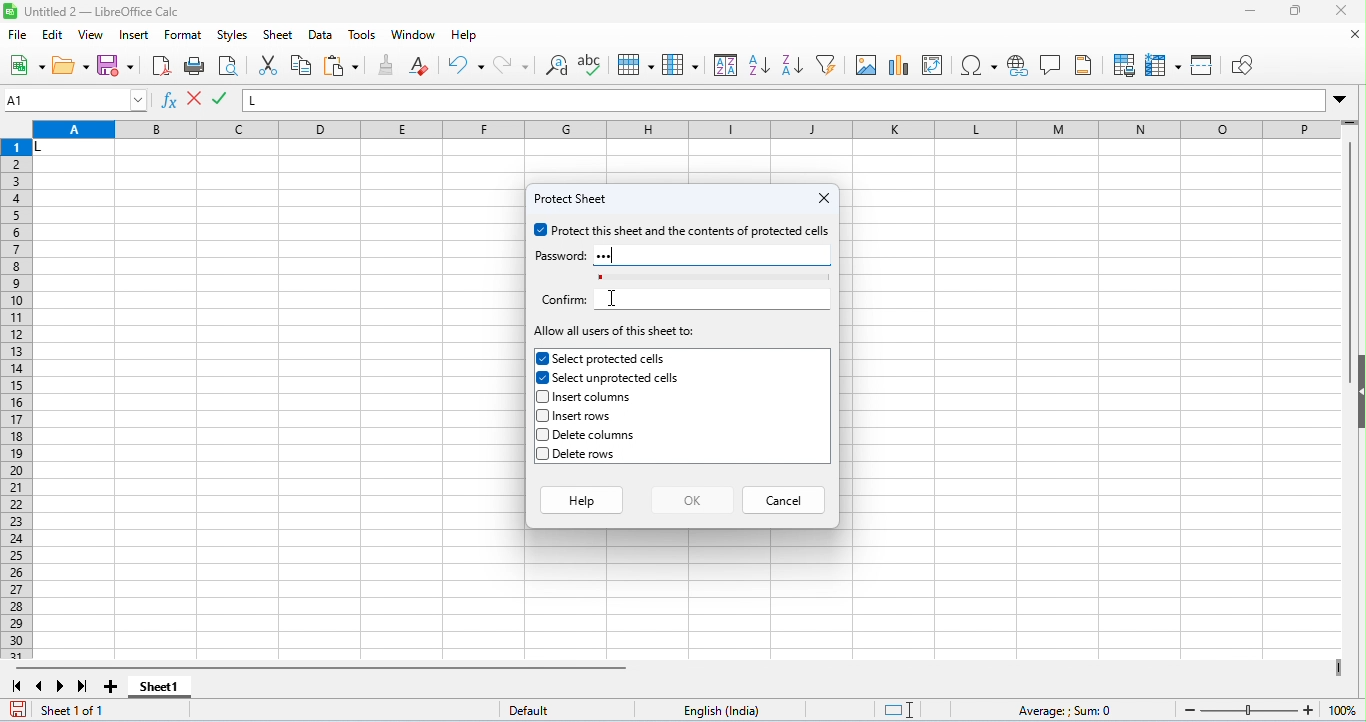 The width and height of the screenshot is (1366, 722). What do you see at coordinates (616, 300) in the screenshot?
I see `cursor movement` at bounding box center [616, 300].